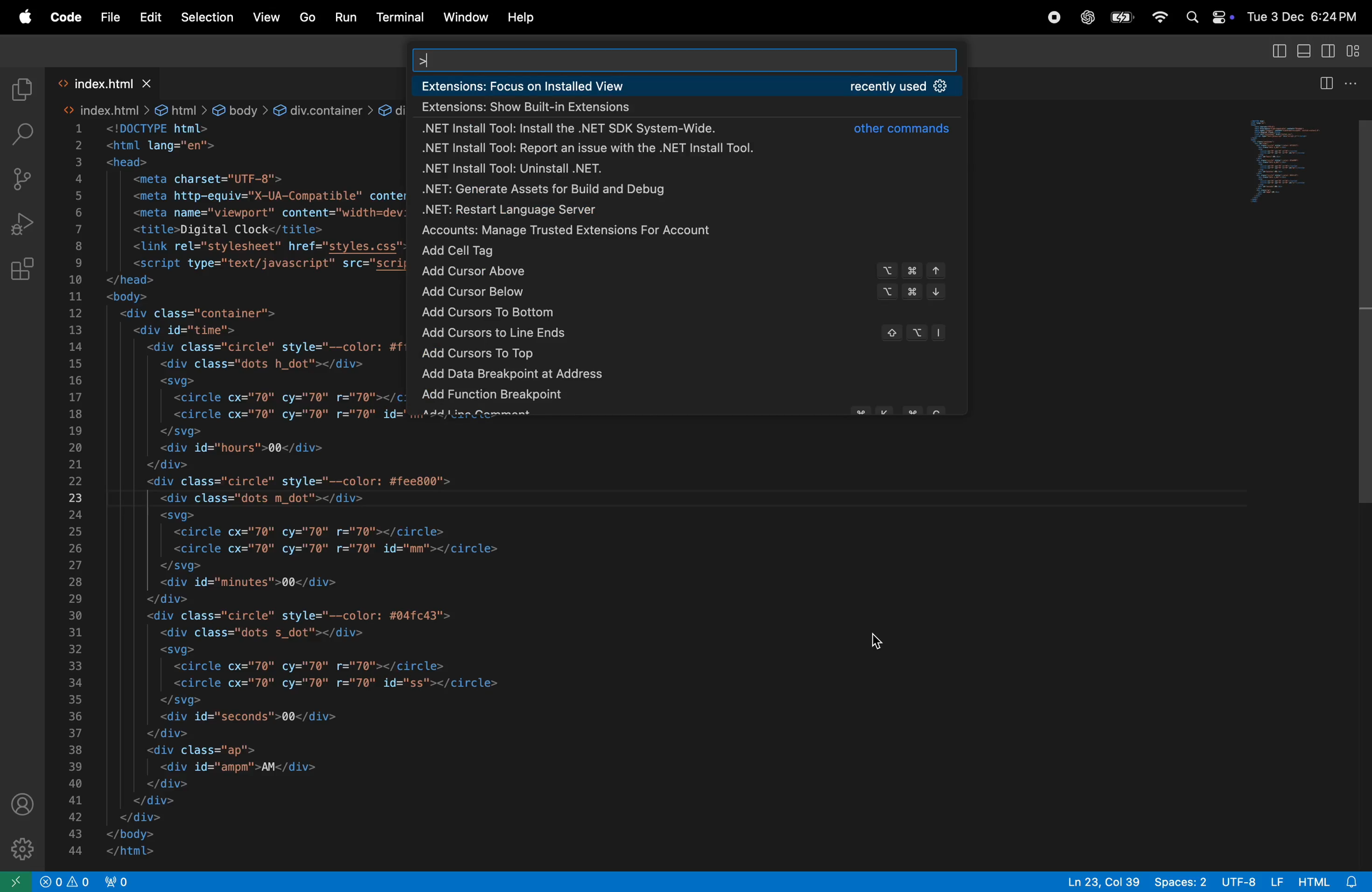 This screenshot has height=892, width=1372. Describe the element at coordinates (107, 14) in the screenshot. I see `File` at that location.